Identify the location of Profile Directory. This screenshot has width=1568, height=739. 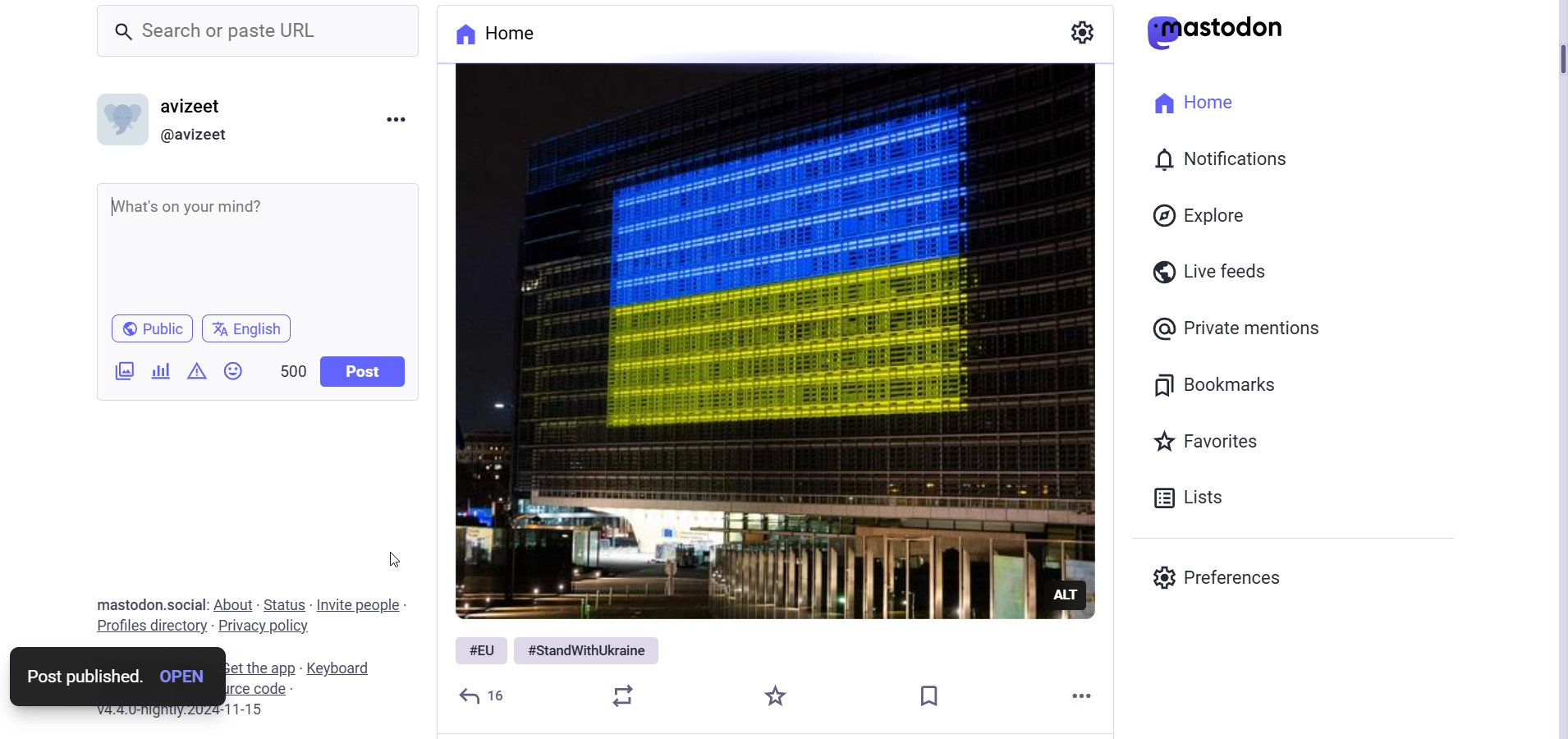
(155, 627).